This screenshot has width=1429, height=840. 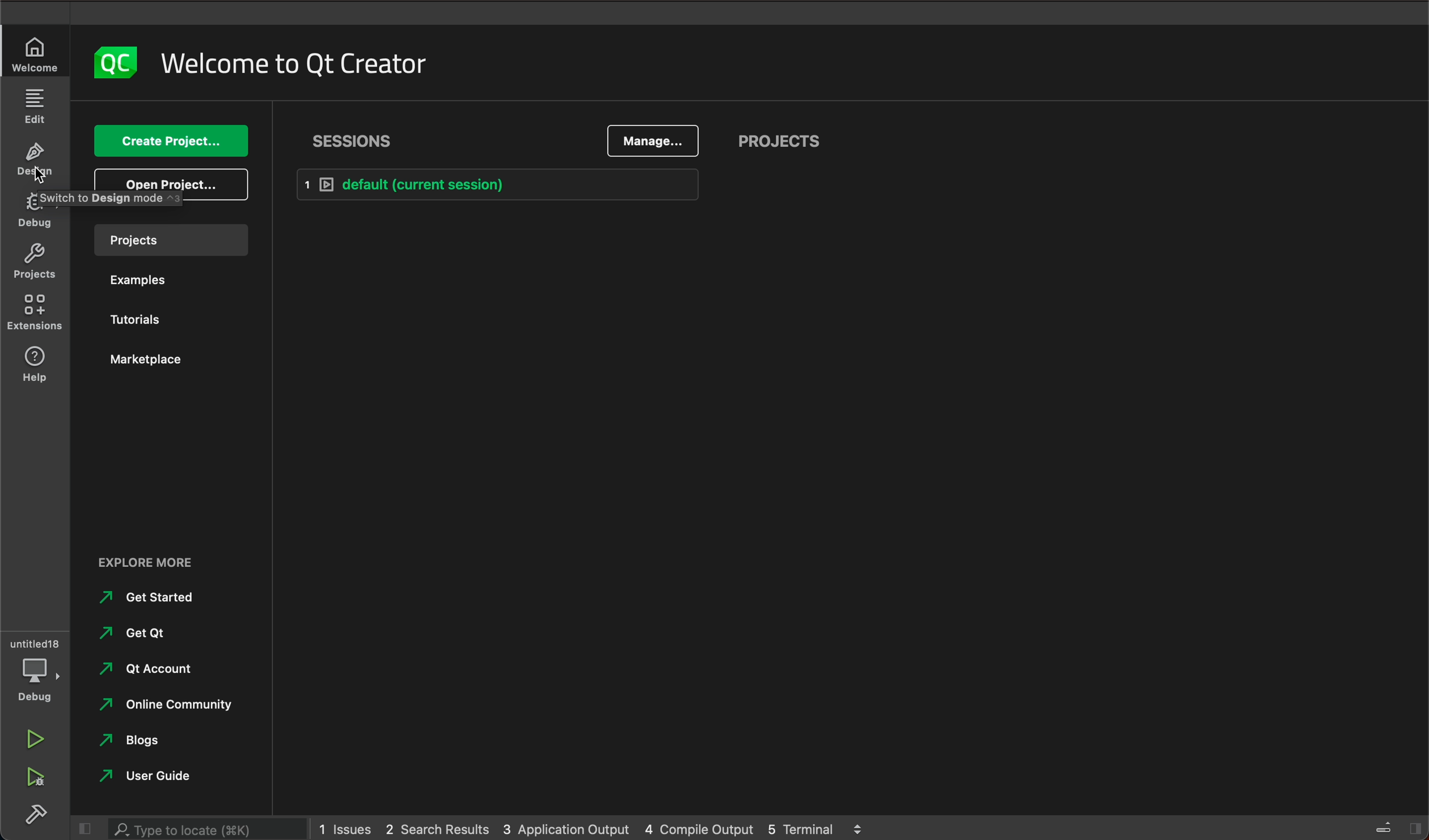 What do you see at coordinates (37, 740) in the screenshot?
I see `run` at bounding box center [37, 740].